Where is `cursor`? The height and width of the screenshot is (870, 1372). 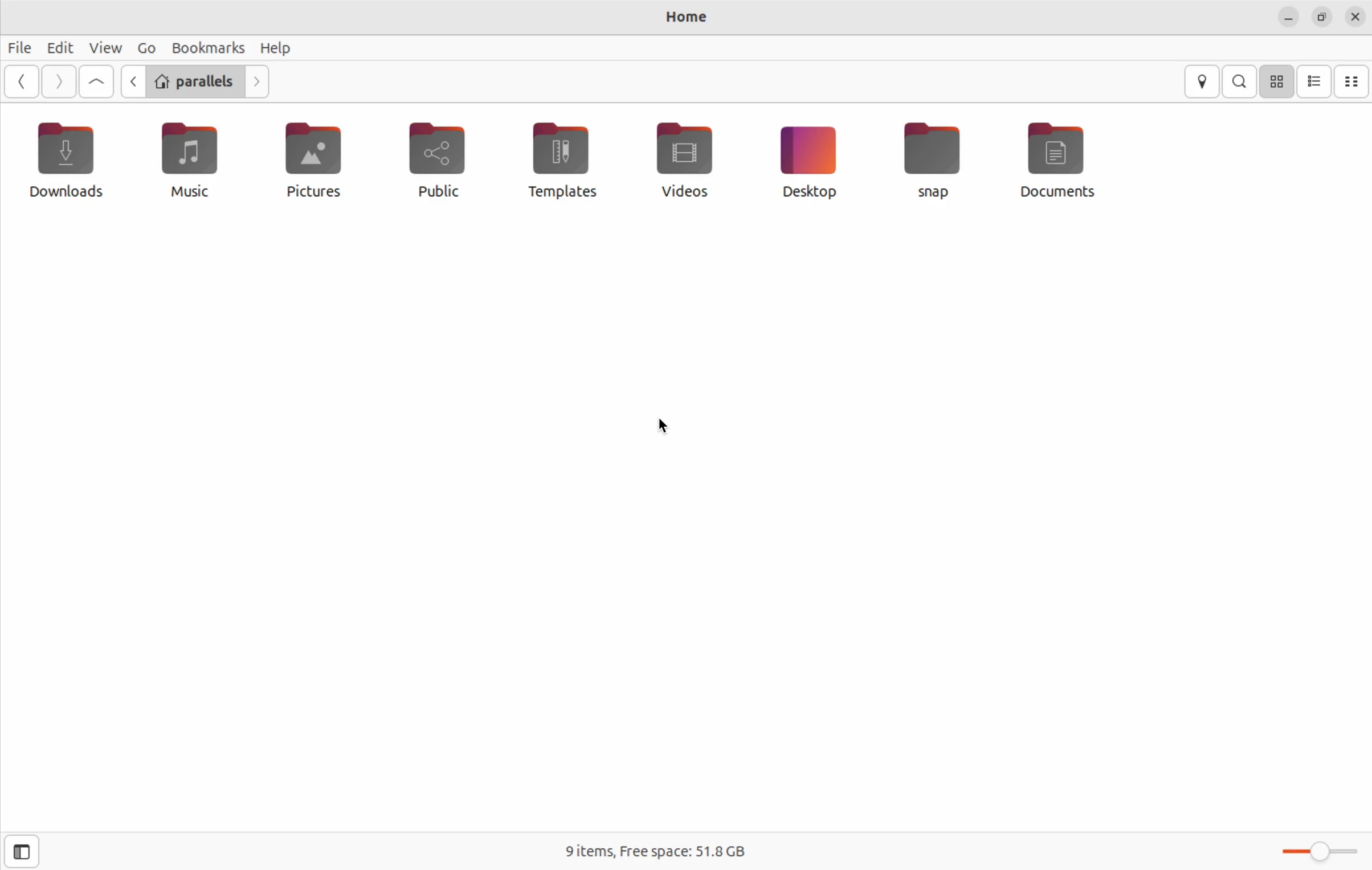
cursor is located at coordinates (664, 427).